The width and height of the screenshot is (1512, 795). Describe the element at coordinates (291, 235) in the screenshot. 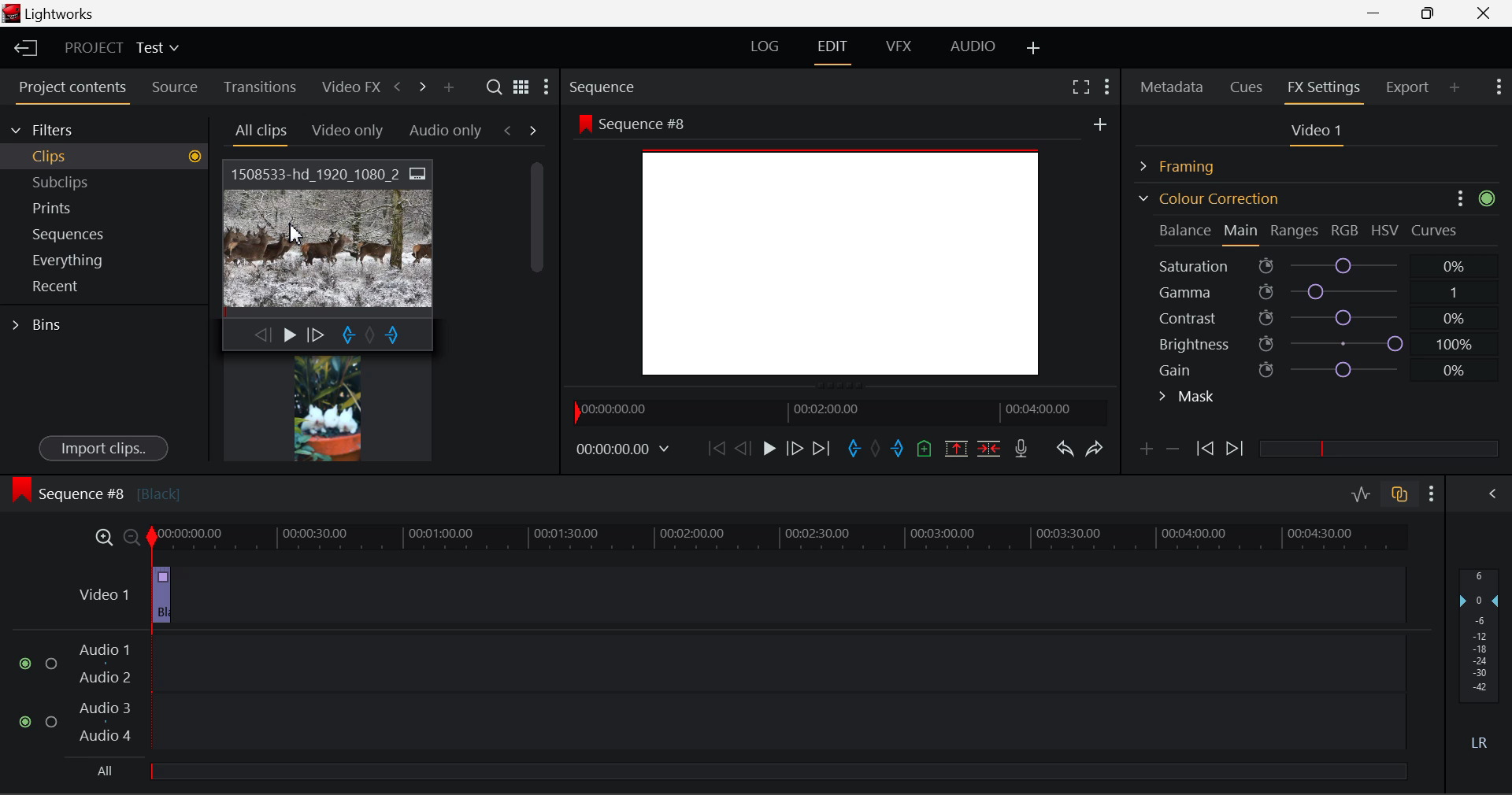

I see `Cursor` at that location.